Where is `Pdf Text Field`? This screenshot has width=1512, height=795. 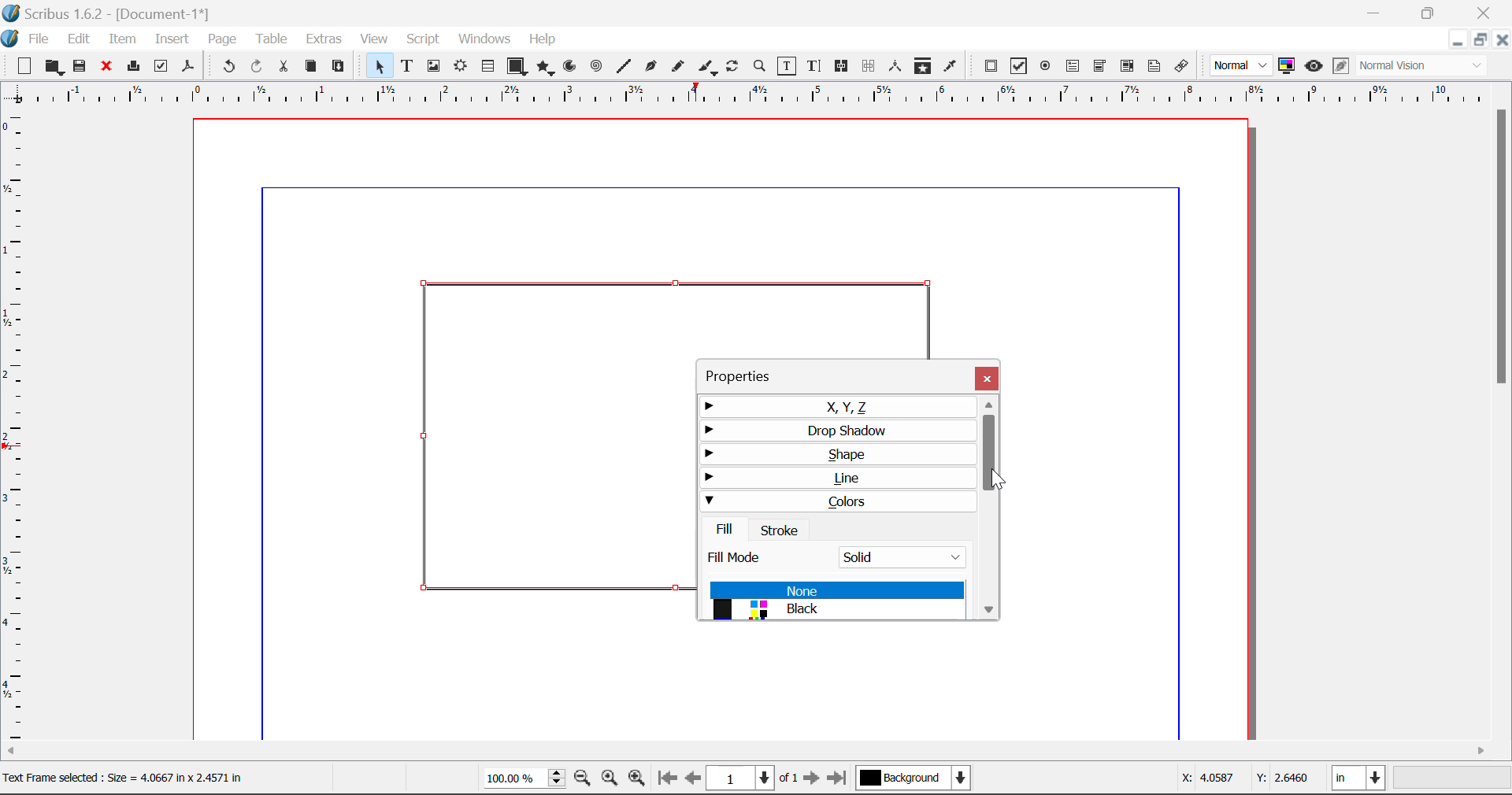 Pdf Text Field is located at coordinates (1073, 65).